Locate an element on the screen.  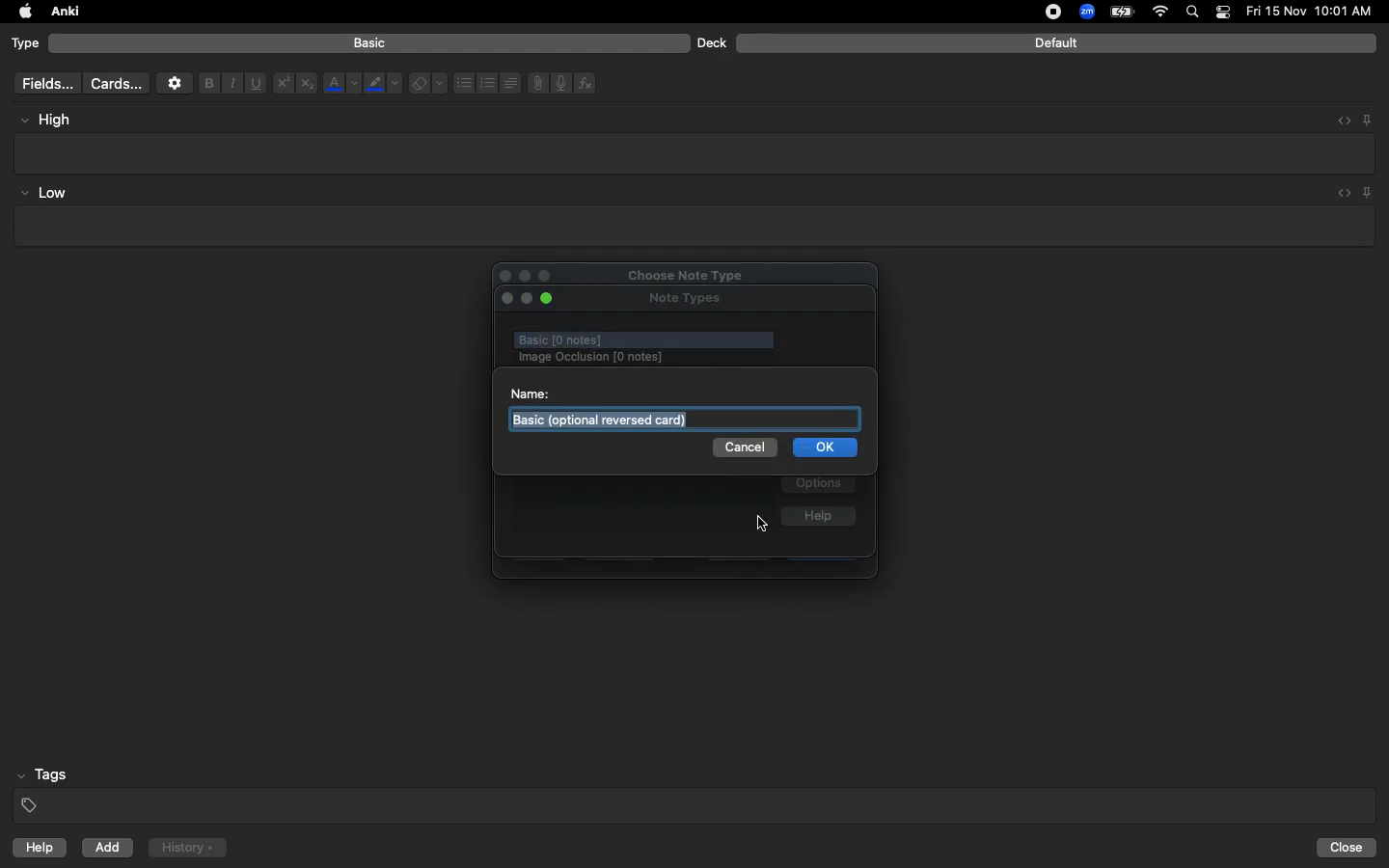
apple logo is located at coordinates (20, 12).